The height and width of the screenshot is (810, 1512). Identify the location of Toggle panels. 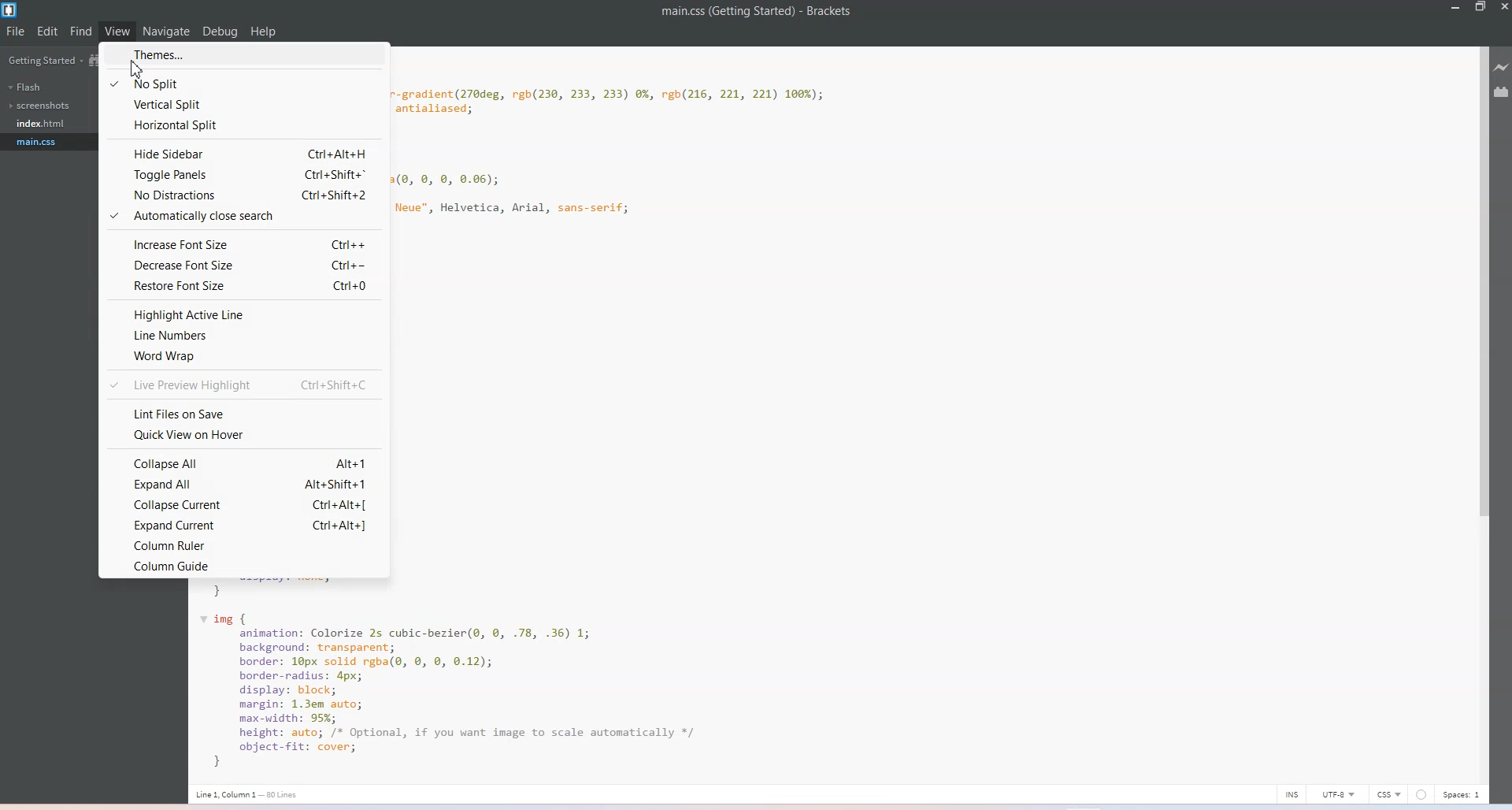
(244, 175).